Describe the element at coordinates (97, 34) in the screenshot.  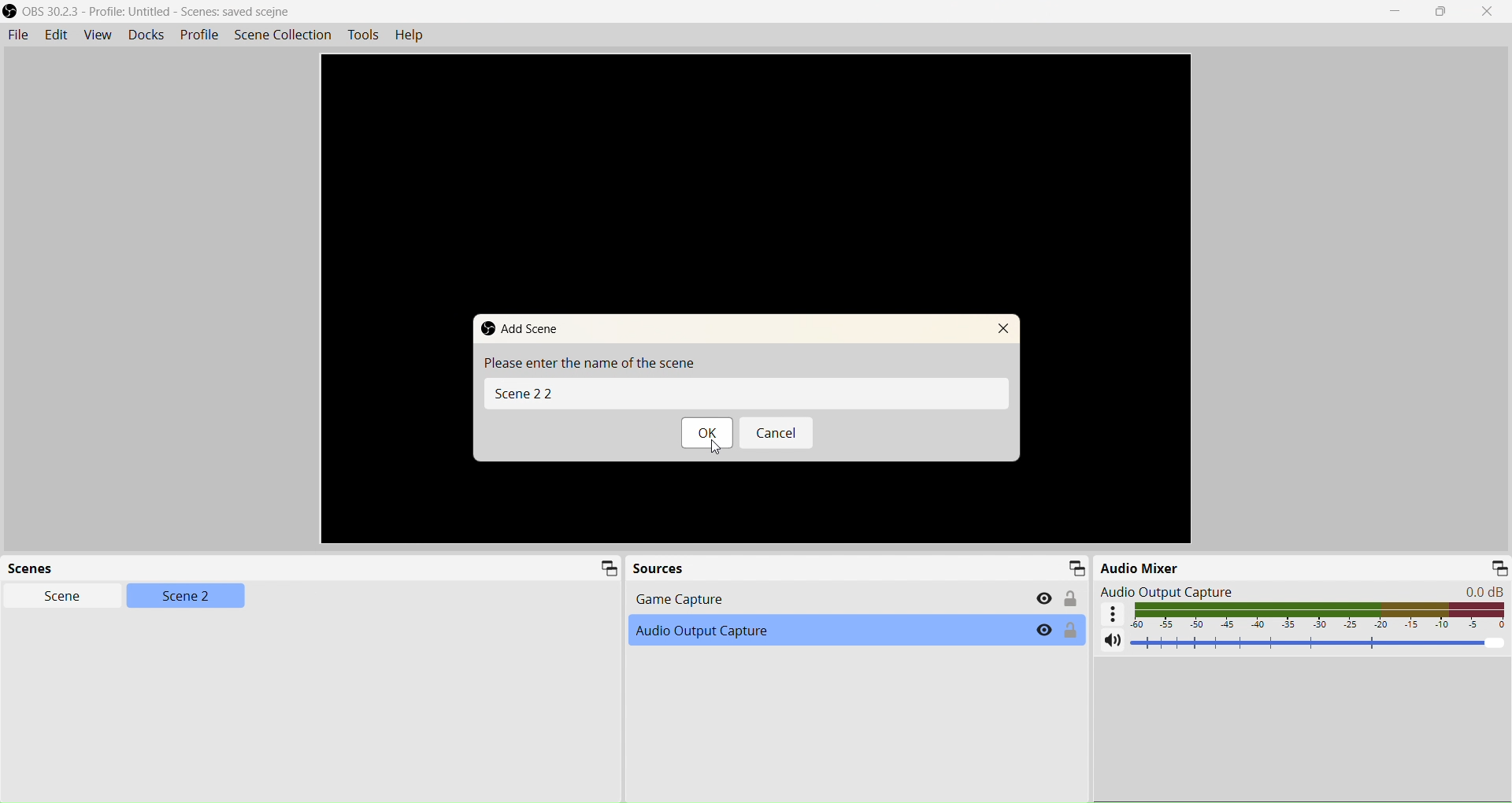
I see `View` at that location.